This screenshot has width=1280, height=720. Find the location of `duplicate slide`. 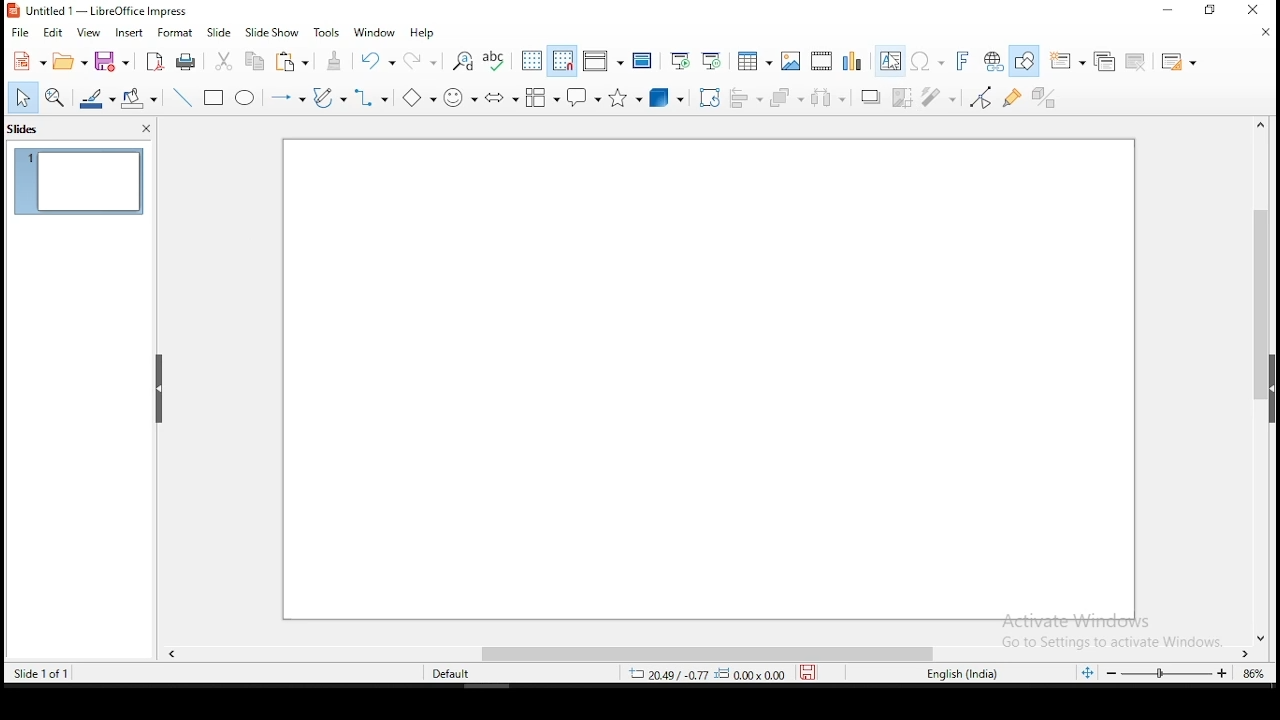

duplicate slide is located at coordinates (1102, 59).